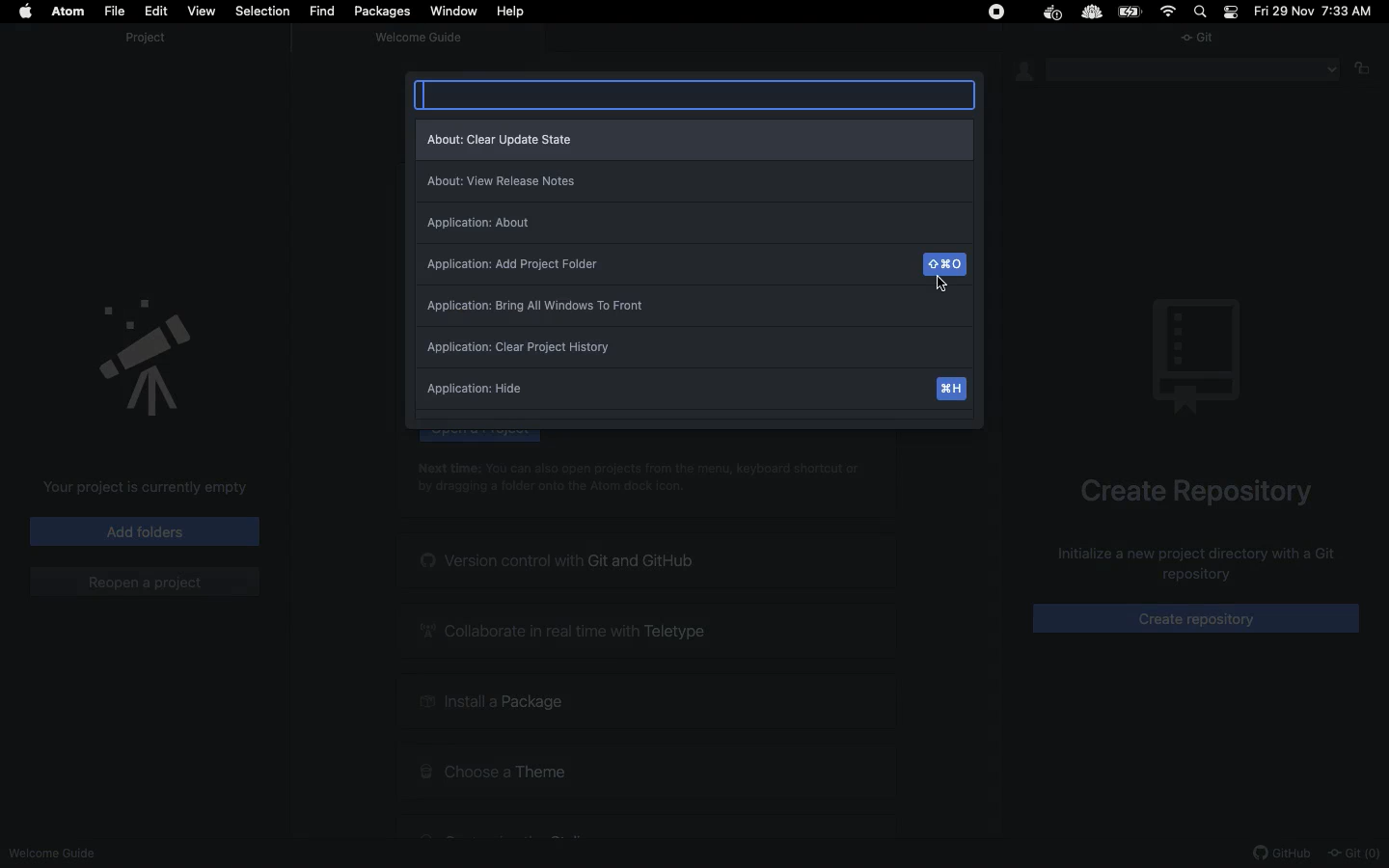 The image size is (1389, 868). Describe the element at coordinates (200, 11) in the screenshot. I see `View` at that location.